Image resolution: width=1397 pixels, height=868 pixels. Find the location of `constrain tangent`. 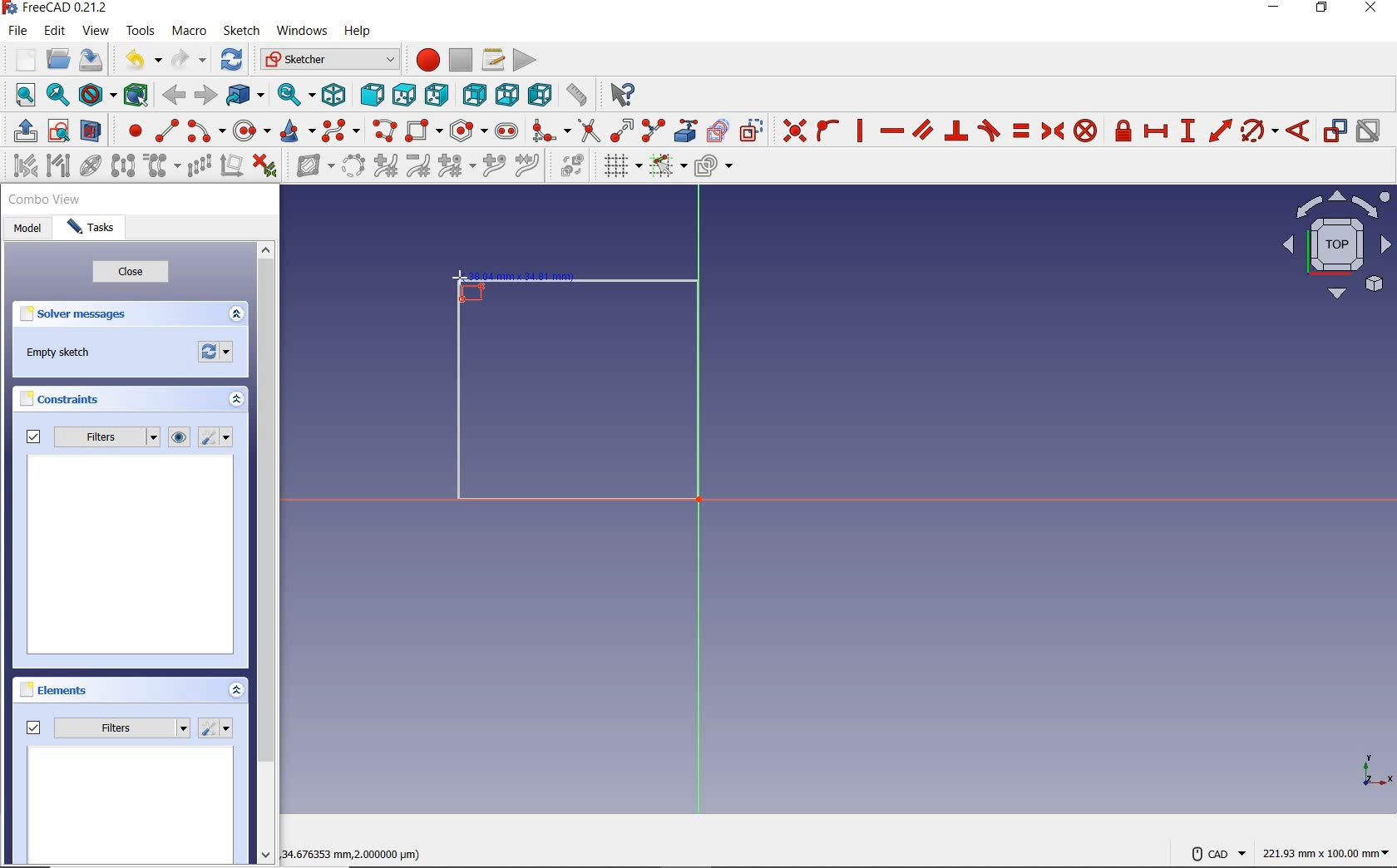

constrain tangent is located at coordinates (990, 131).